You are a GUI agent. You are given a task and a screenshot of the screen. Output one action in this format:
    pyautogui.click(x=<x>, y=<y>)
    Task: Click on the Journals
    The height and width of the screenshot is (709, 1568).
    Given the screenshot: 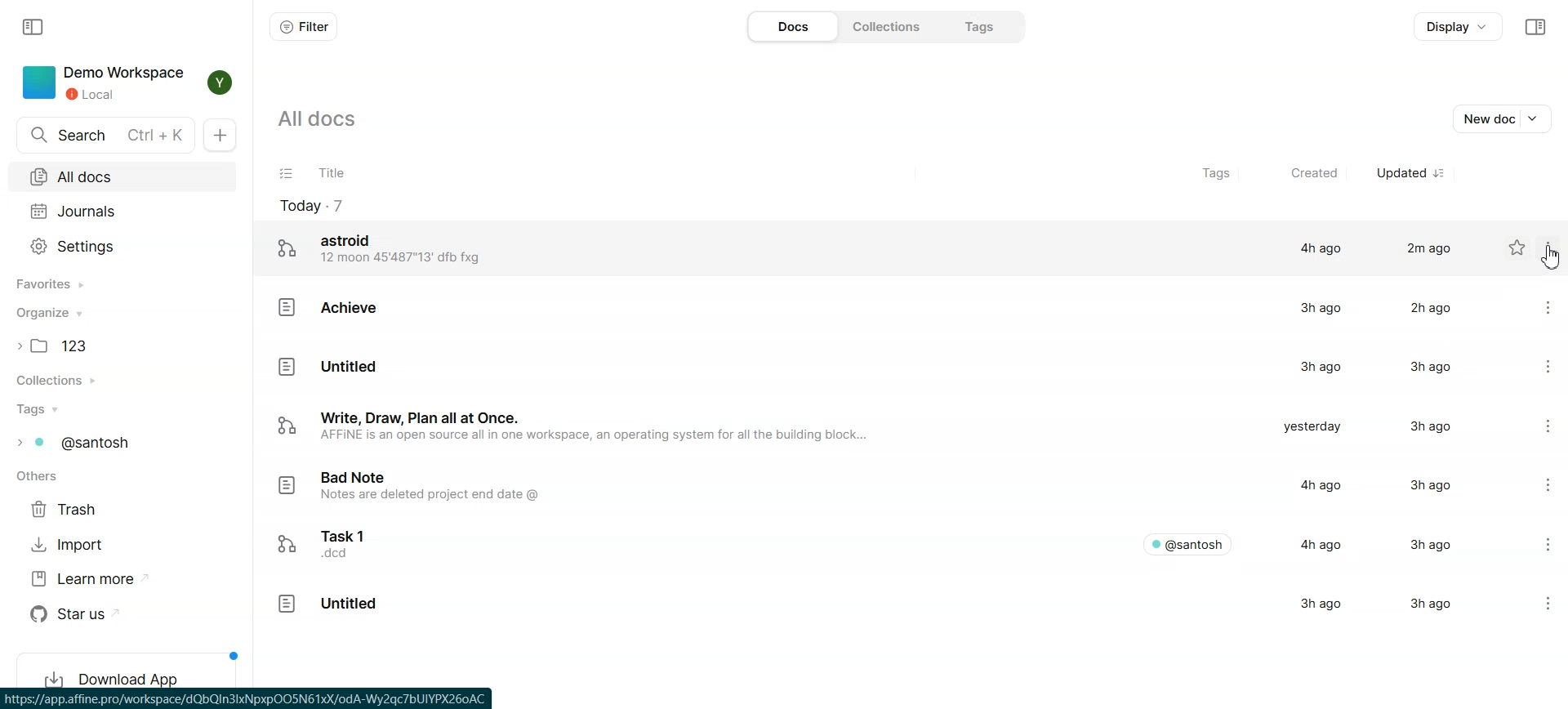 What is the action you would take?
    pyautogui.click(x=124, y=212)
    